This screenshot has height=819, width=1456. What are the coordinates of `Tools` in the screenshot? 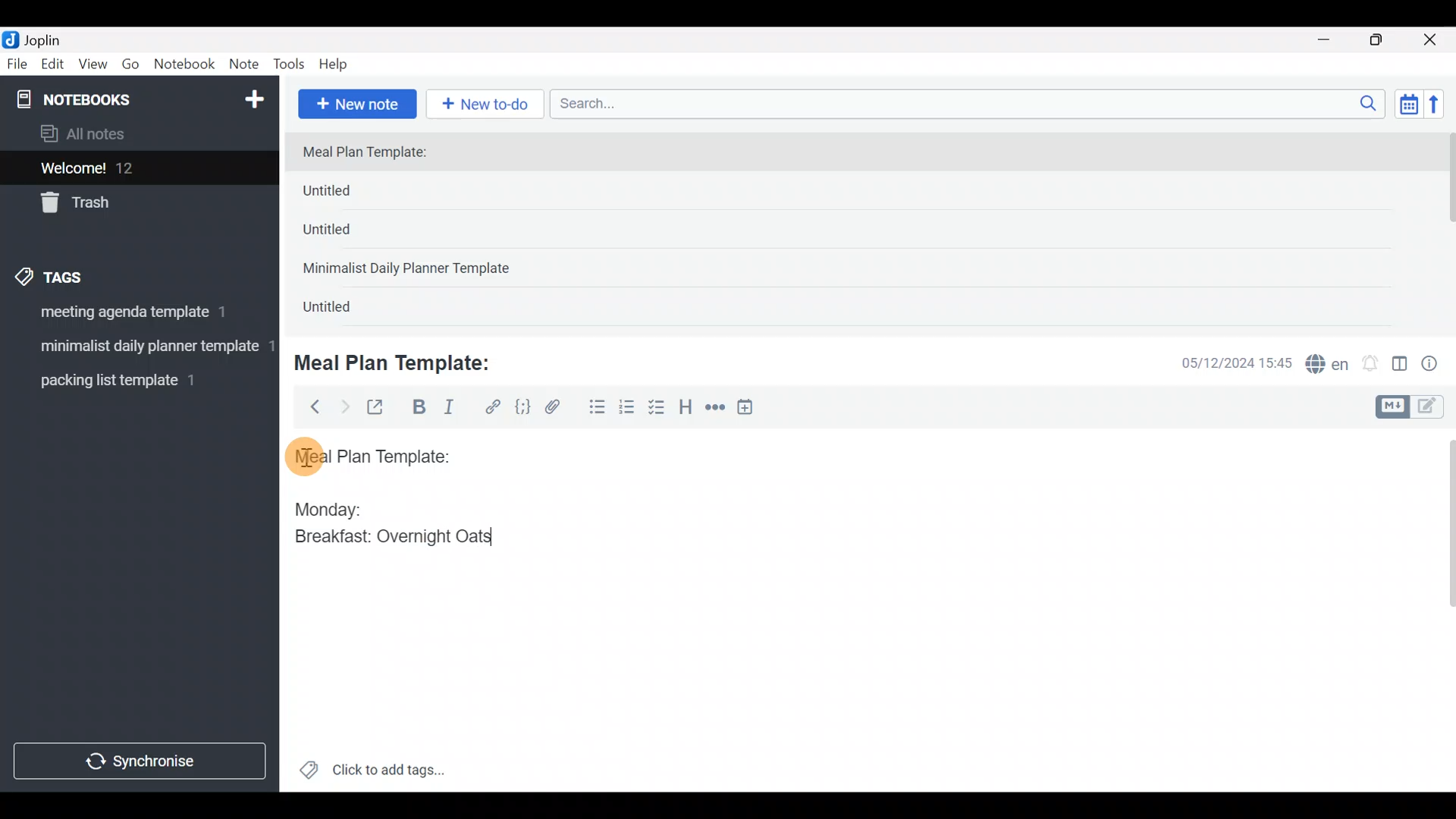 It's located at (290, 65).